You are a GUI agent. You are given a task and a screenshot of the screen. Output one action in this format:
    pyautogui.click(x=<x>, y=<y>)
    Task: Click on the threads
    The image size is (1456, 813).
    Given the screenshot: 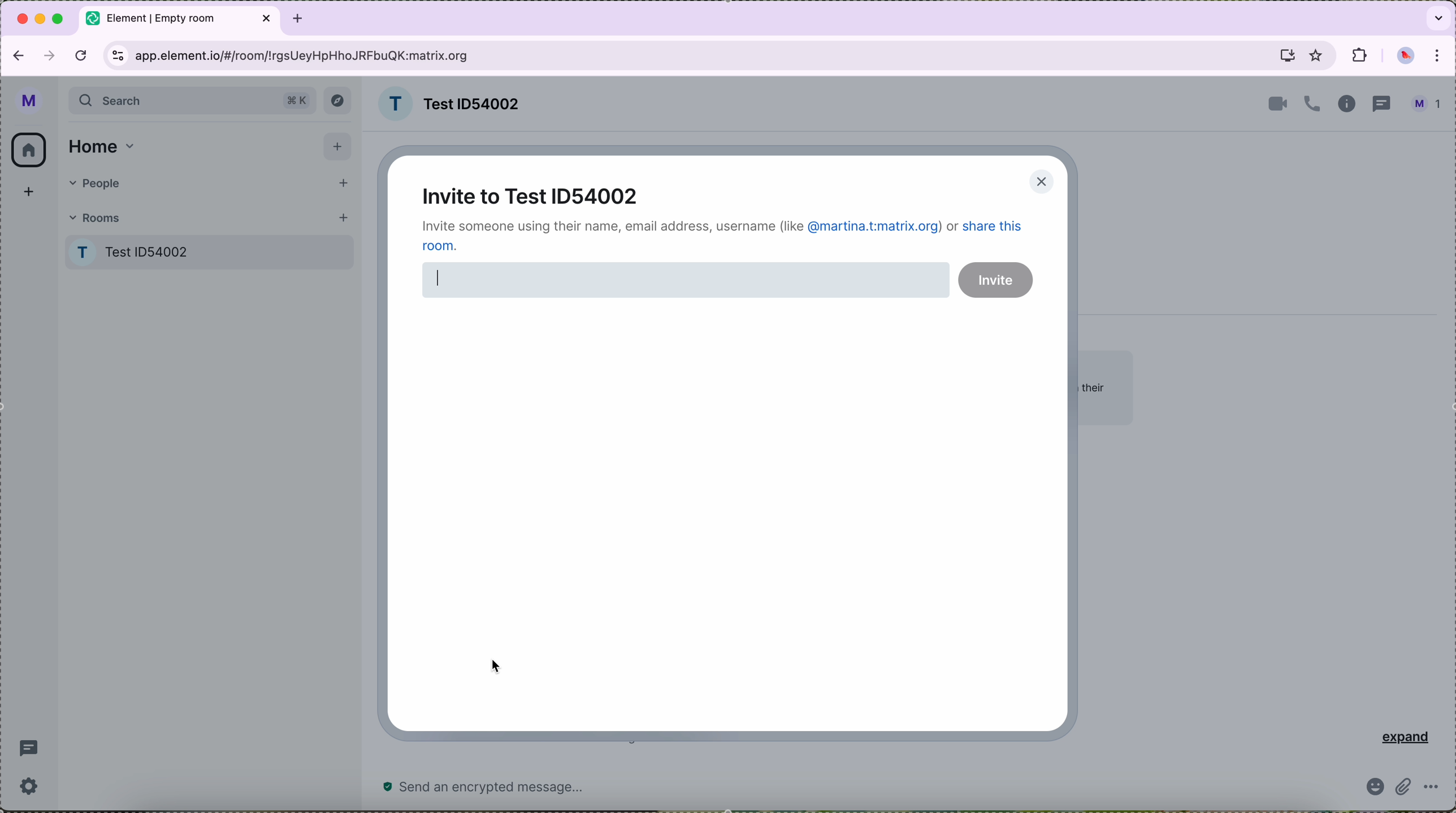 What is the action you would take?
    pyautogui.click(x=1382, y=103)
    